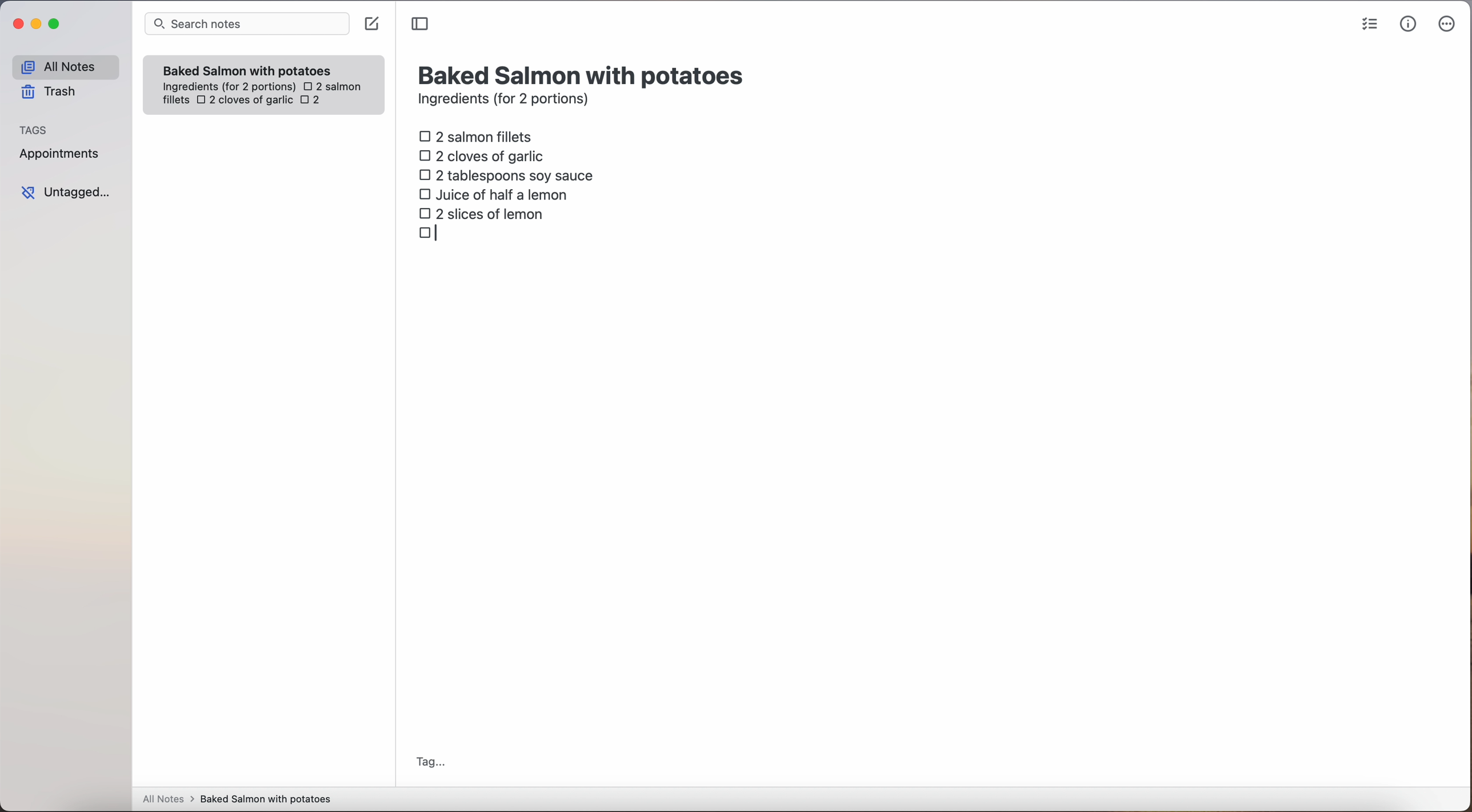 Image resolution: width=1472 pixels, height=812 pixels. What do you see at coordinates (245, 101) in the screenshot?
I see `2 cloves of garlic` at bounding box center [245, 101].